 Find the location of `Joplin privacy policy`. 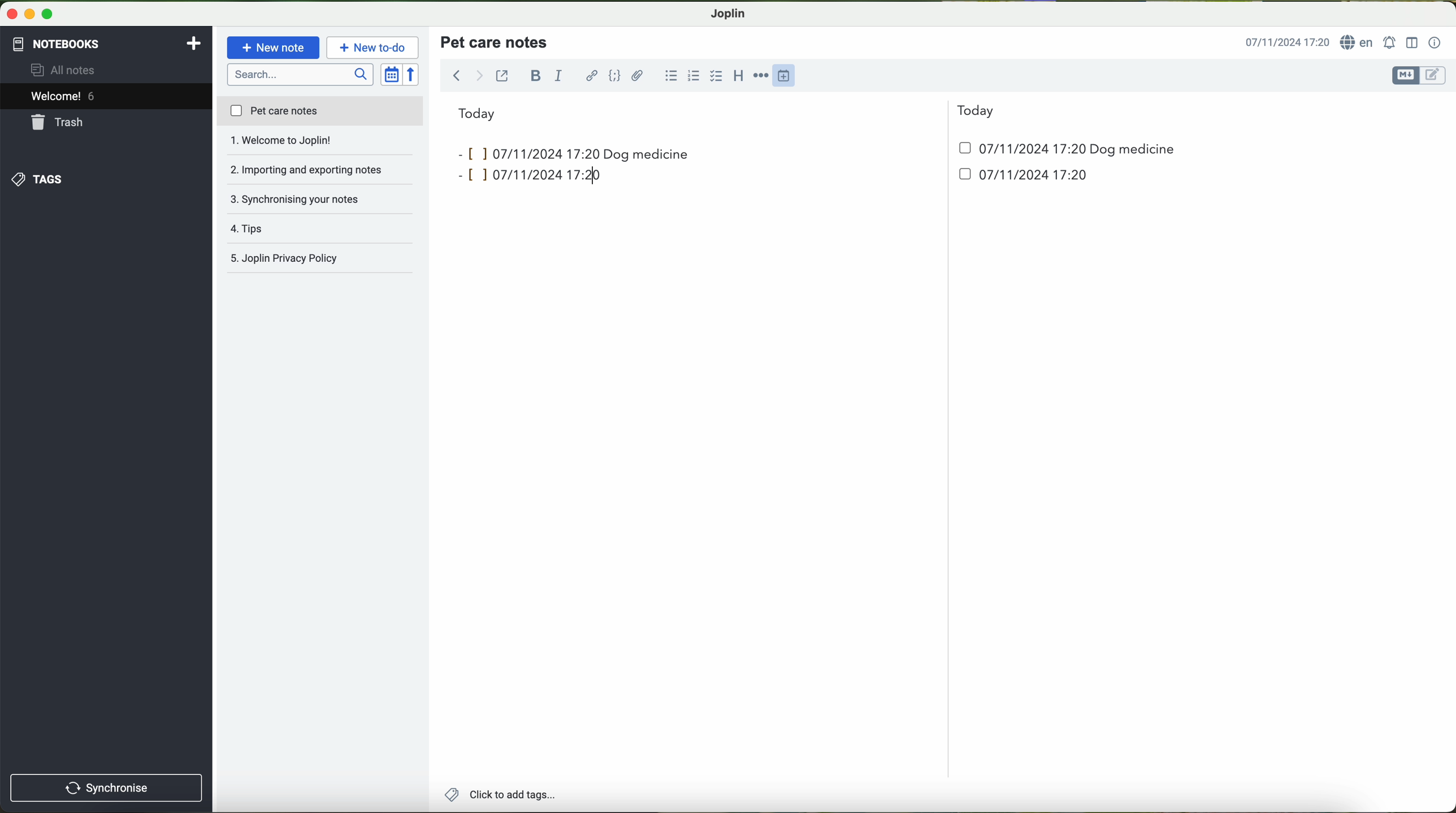

Joplin privacy policy is located at coordinates (321, 229).